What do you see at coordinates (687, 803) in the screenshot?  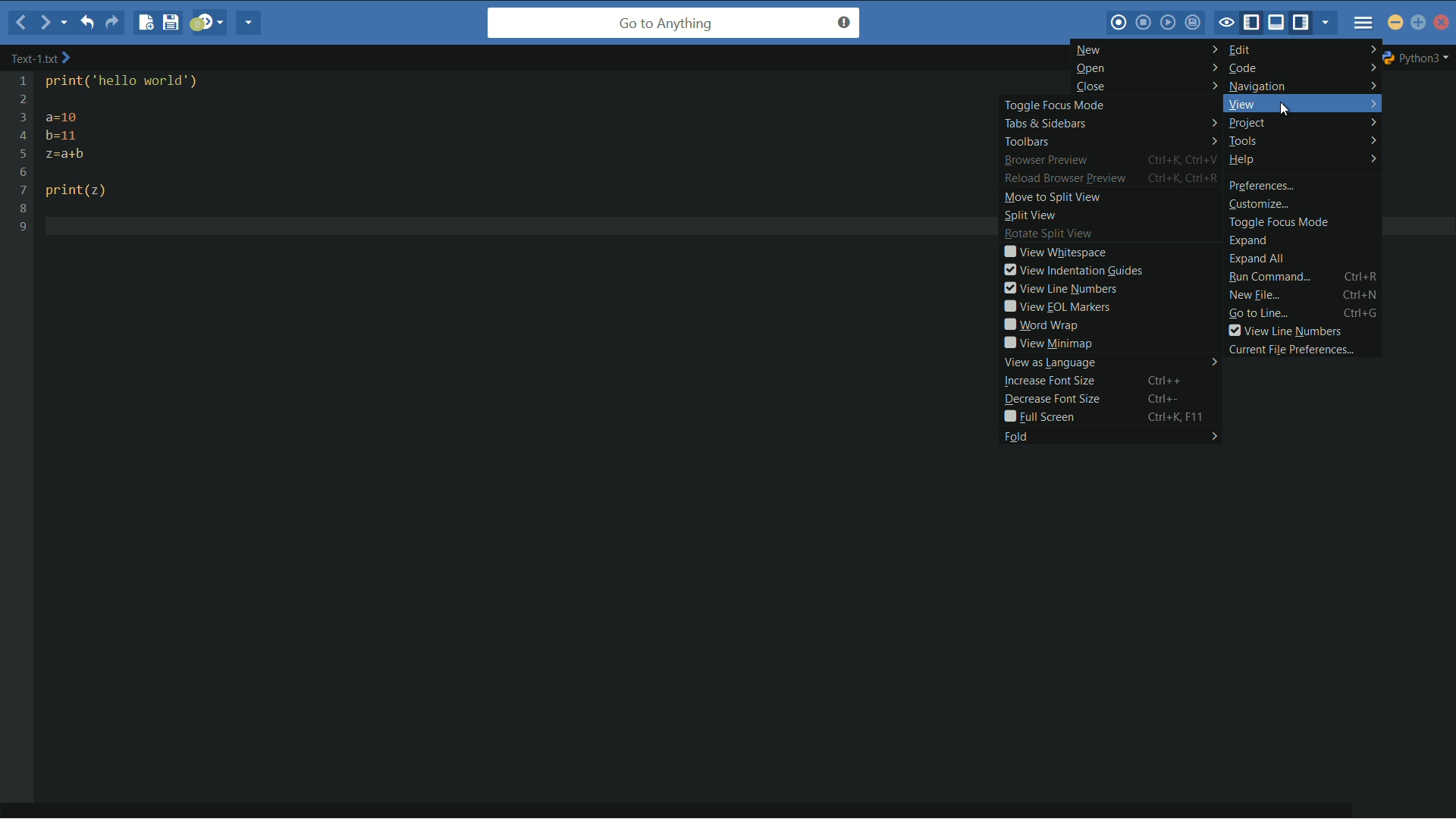 I see `horizontal scroll bar` at bounding box center [687, 803].